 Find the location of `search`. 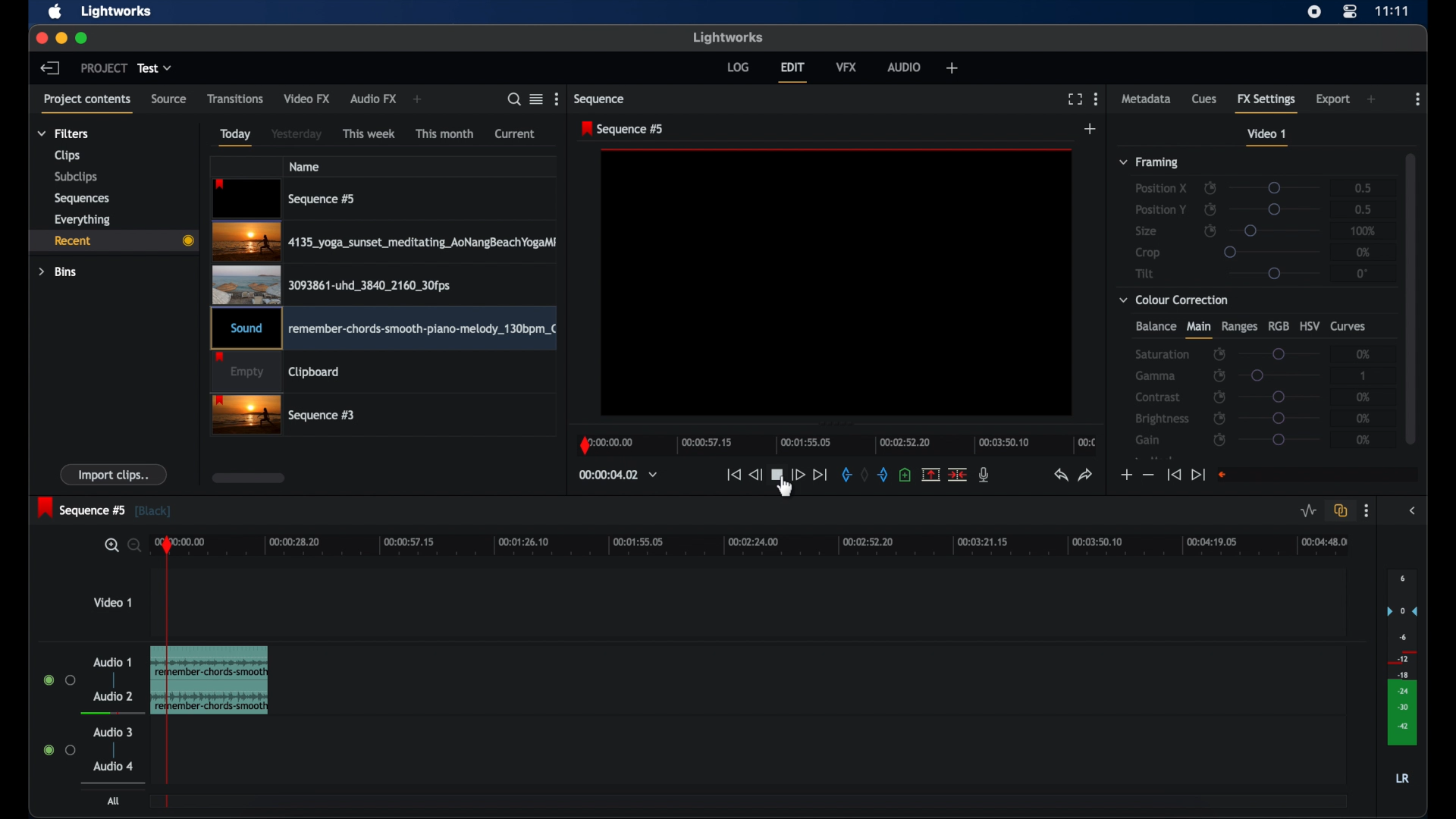

search is located at coordinates (514, 99).